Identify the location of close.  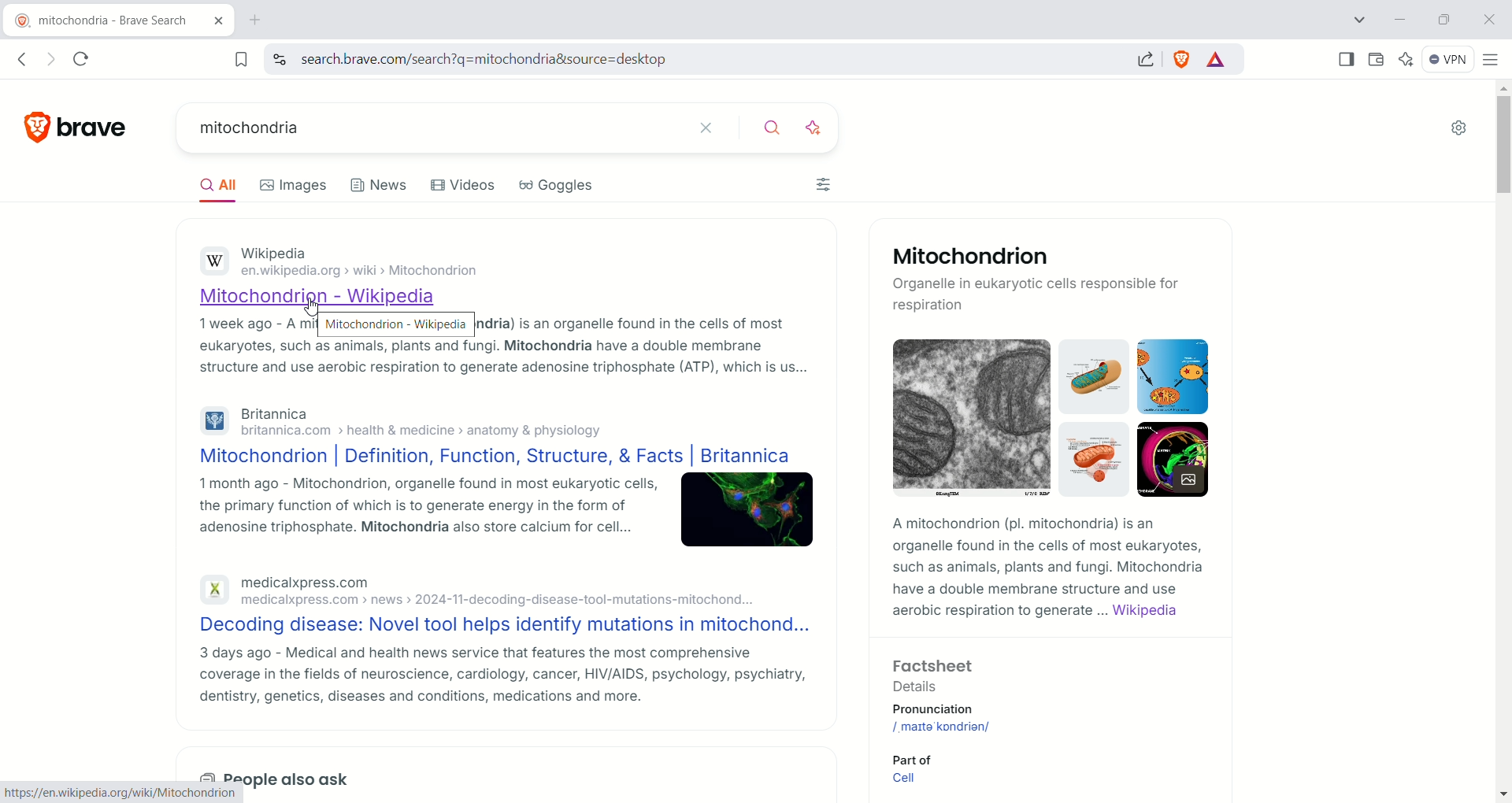
(702, 127).